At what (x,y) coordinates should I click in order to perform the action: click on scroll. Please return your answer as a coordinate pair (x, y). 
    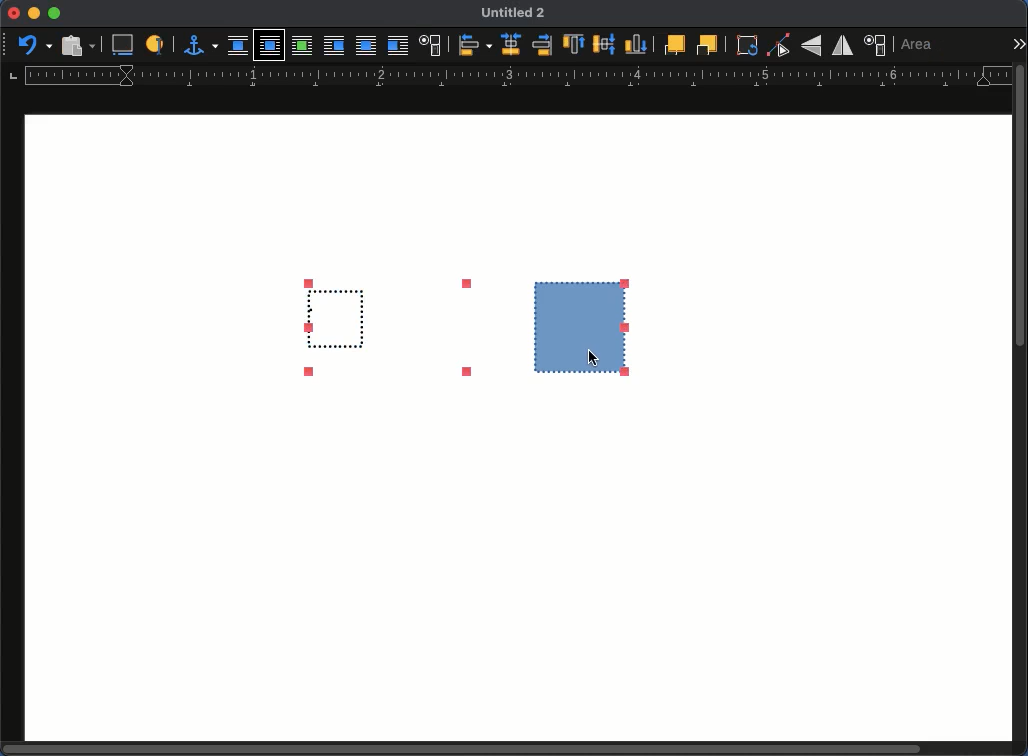
    Looking at the image, I should click on (1023, 404).